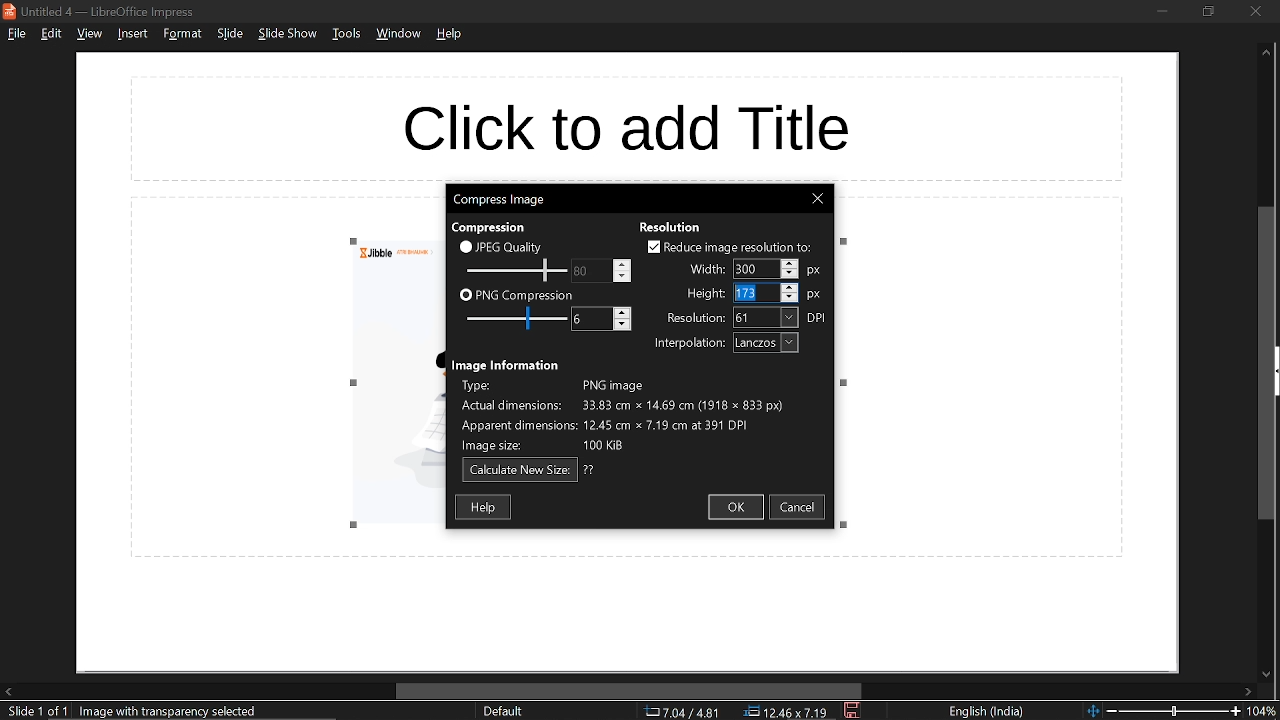 This screenshot has height=720, width=1280. I want to click on save, so click(852, 711).